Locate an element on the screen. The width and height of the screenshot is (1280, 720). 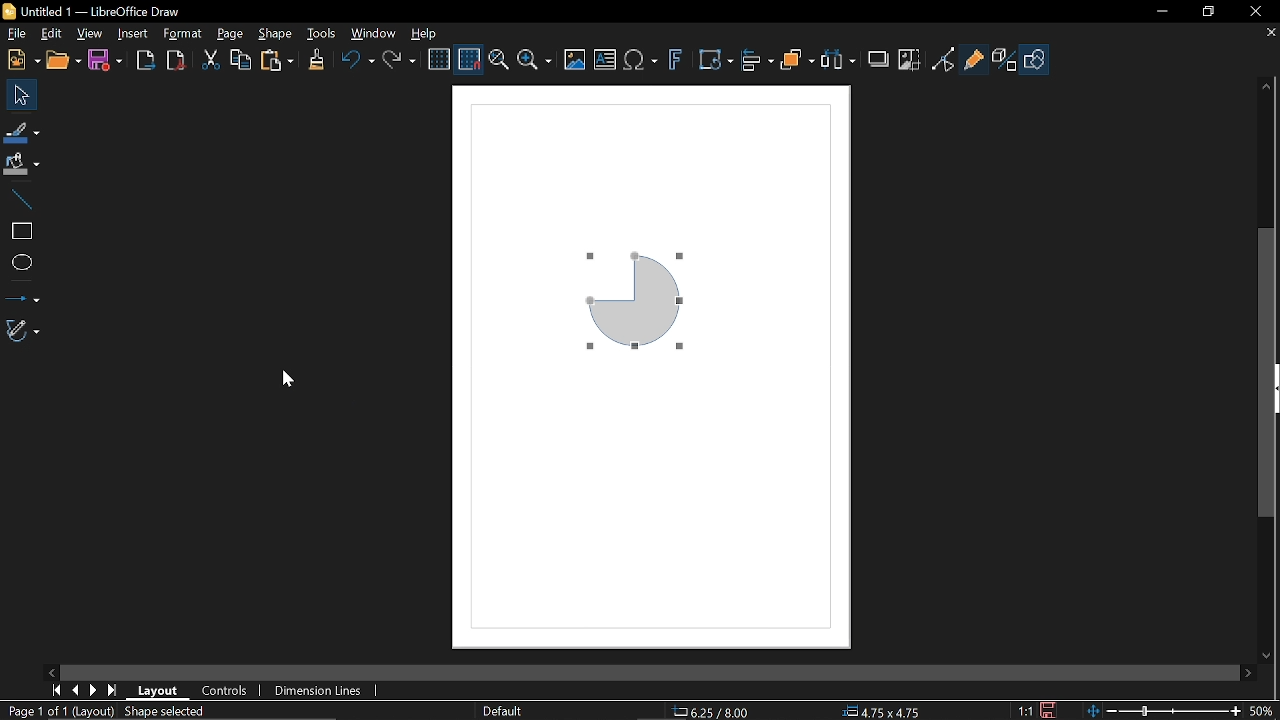
Edit is located at coordinates (48, 35).